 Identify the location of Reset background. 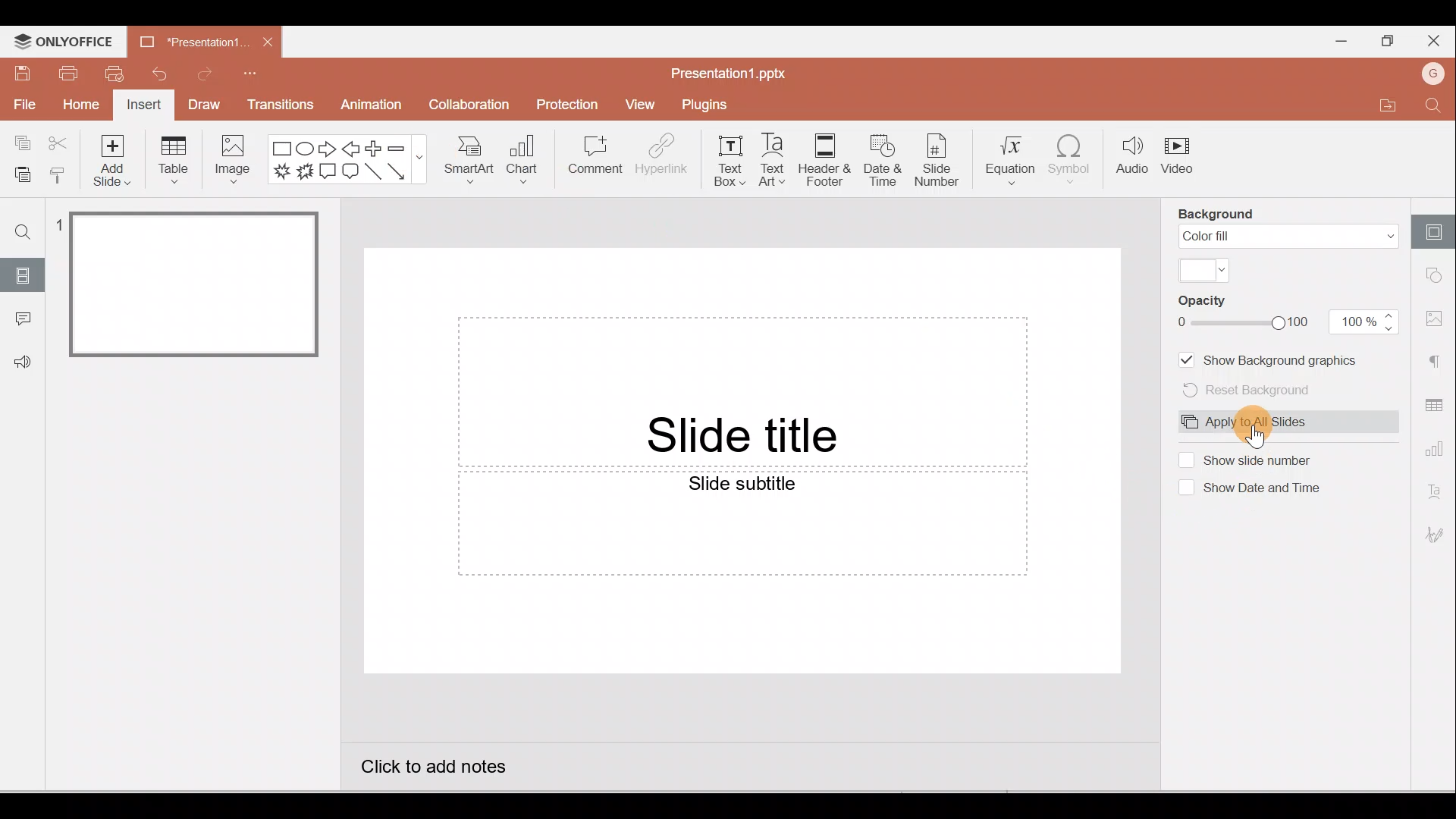
(1255, 391).